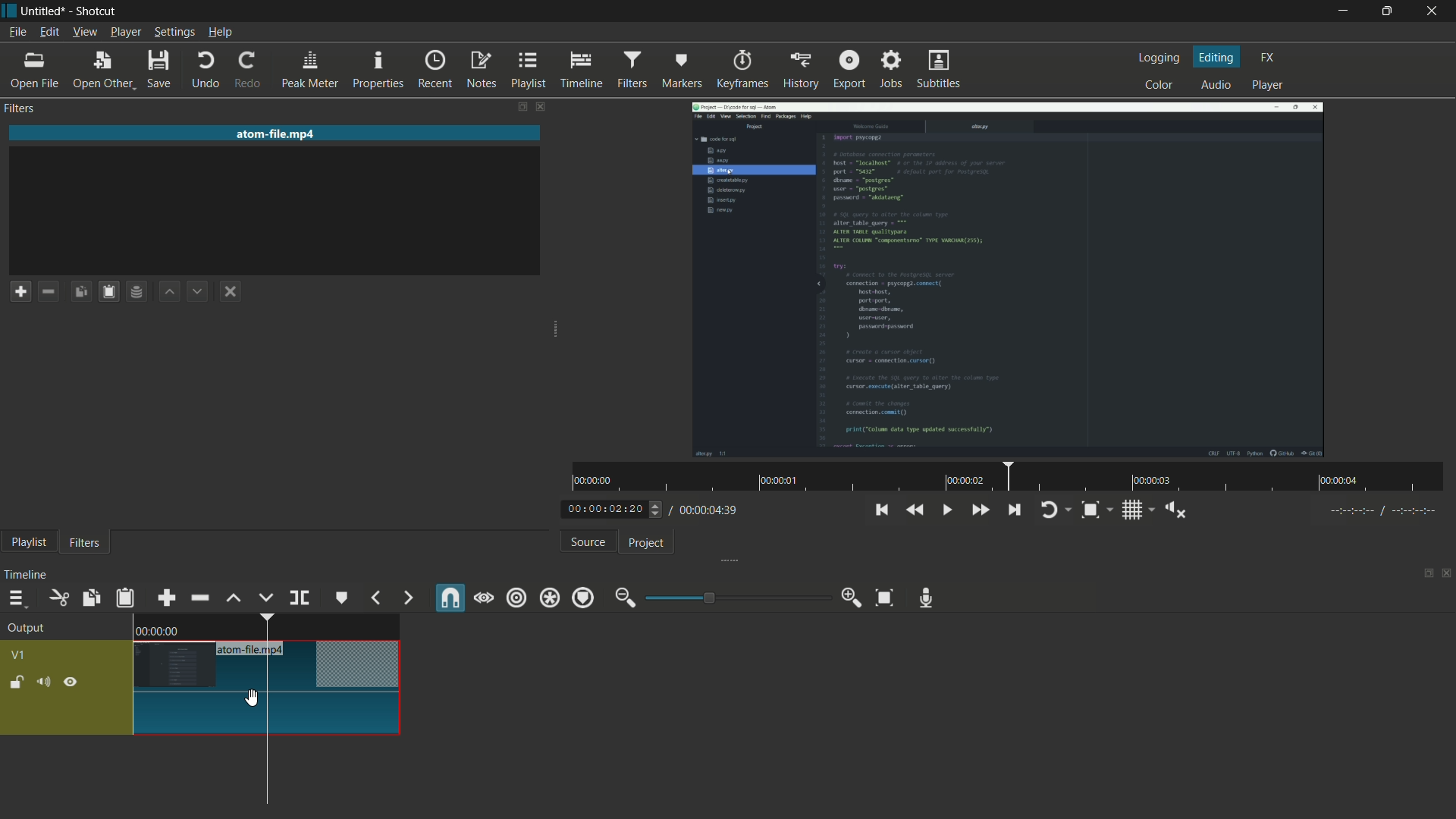  What do you see at coordinates (199, 598) in the screenshot?
I see `ripple delete` at bounding box center [199, 598].